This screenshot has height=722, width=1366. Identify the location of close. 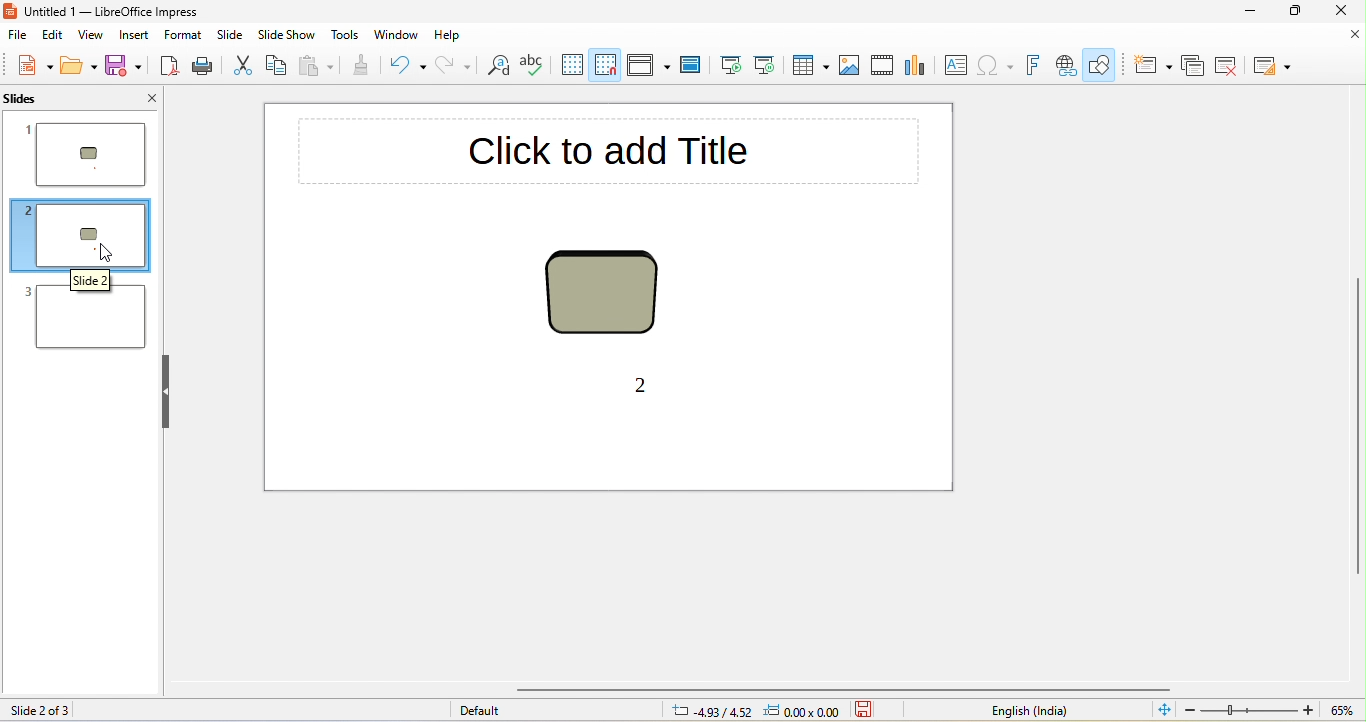
(1353, 36).